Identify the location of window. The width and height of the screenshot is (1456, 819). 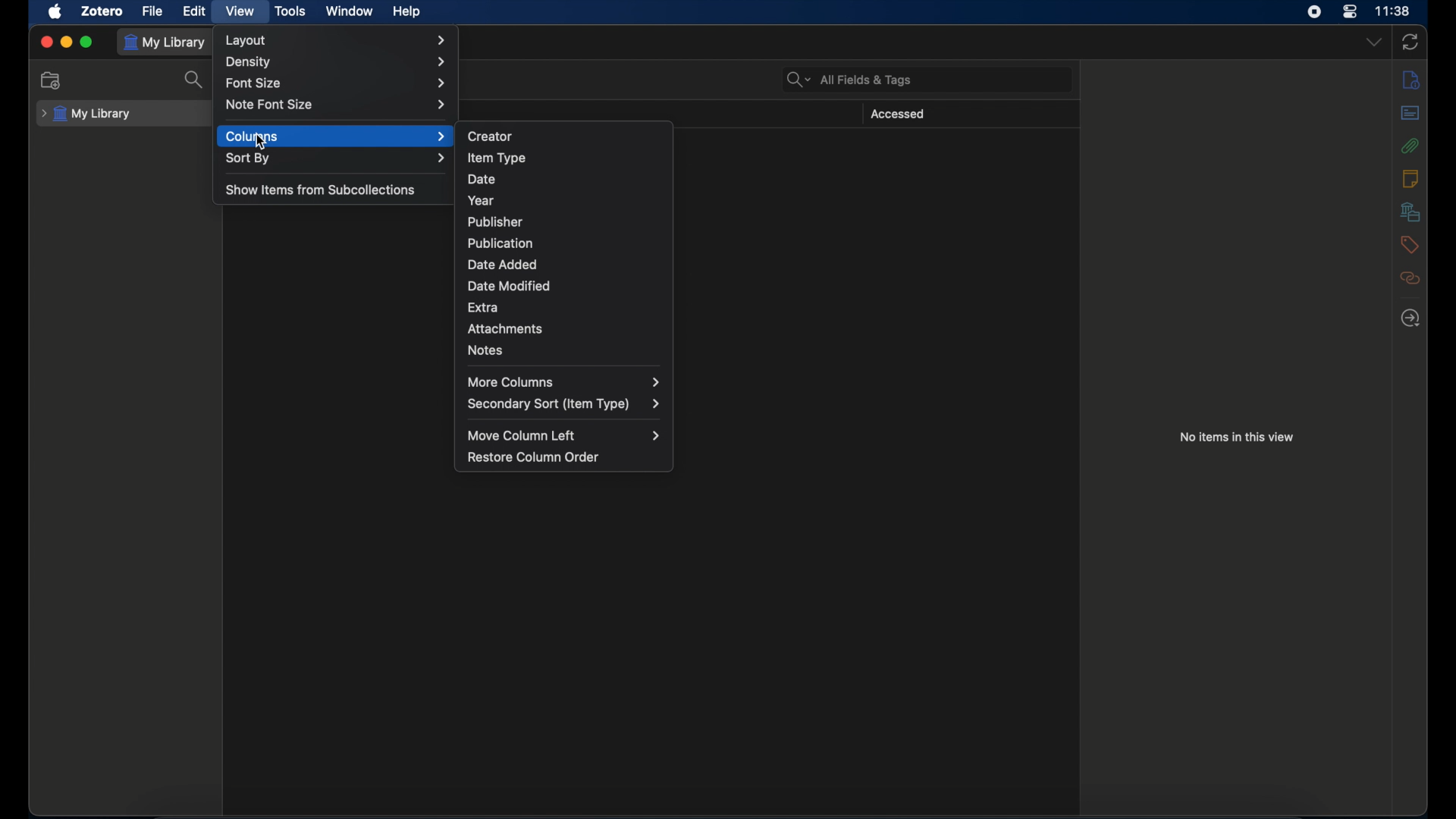
(351, 11).